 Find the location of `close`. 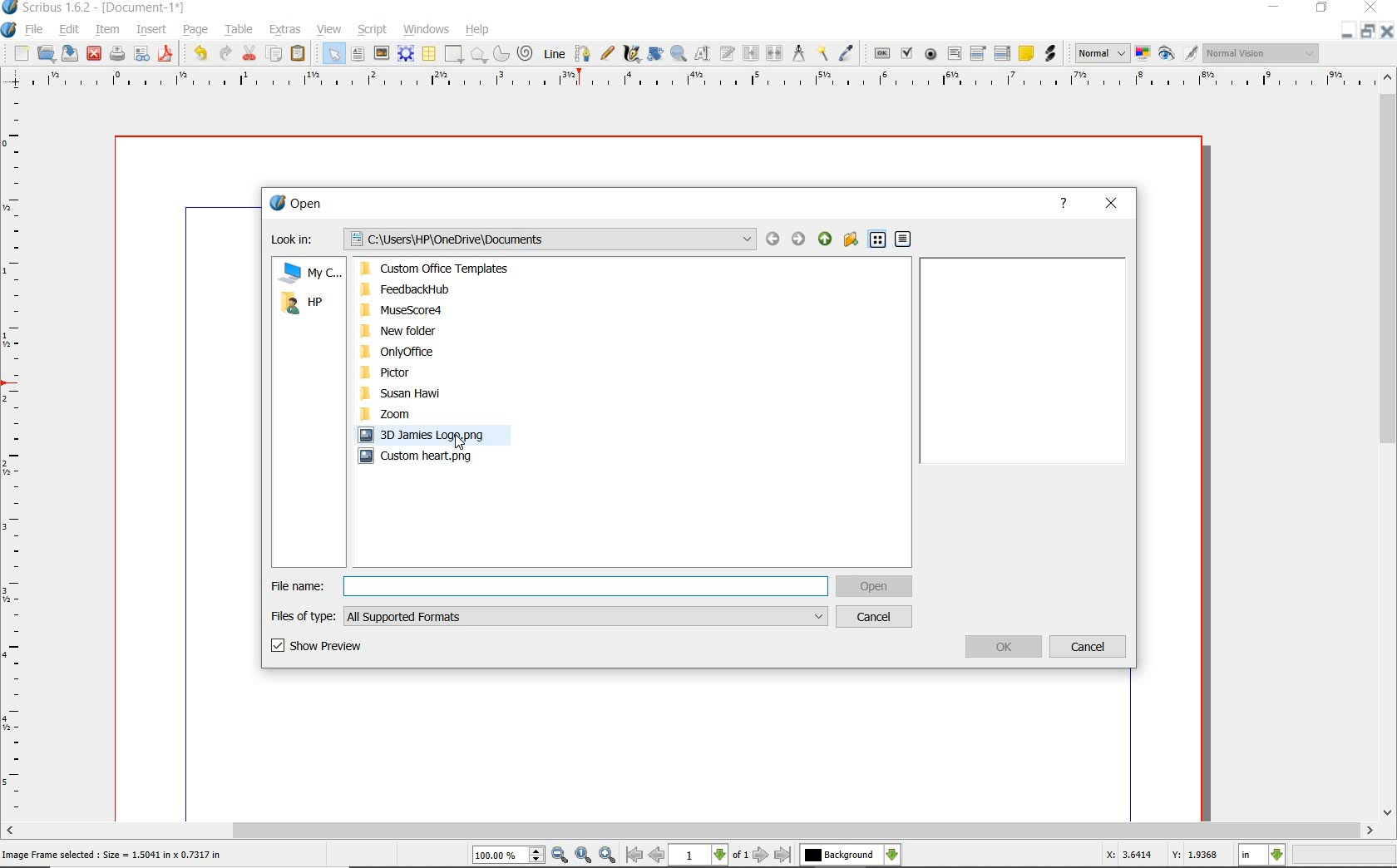

close is located at coordinates (1110, 204).